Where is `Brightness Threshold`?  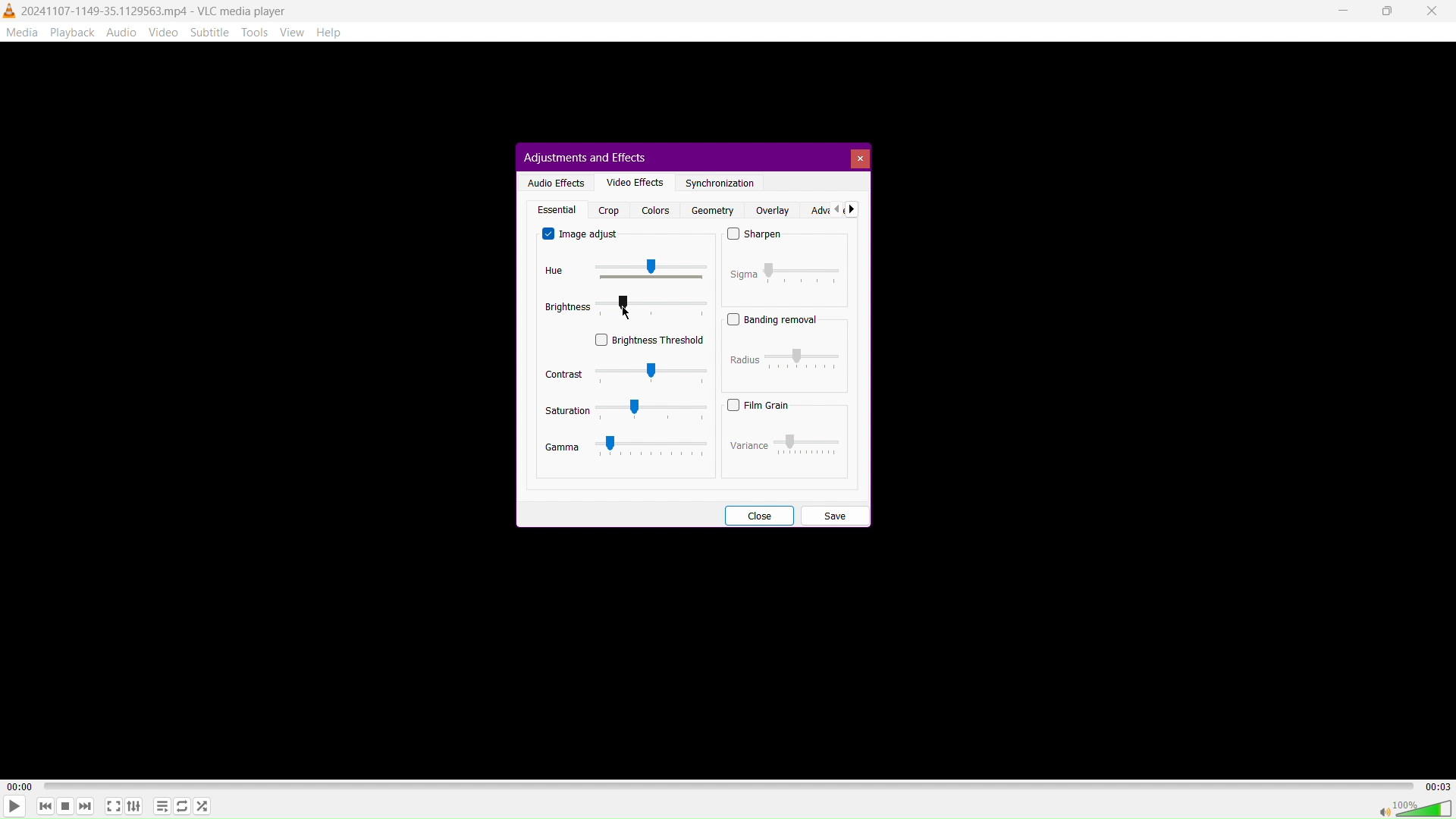
Brightness Threshold is located at coordinates (650, 339).